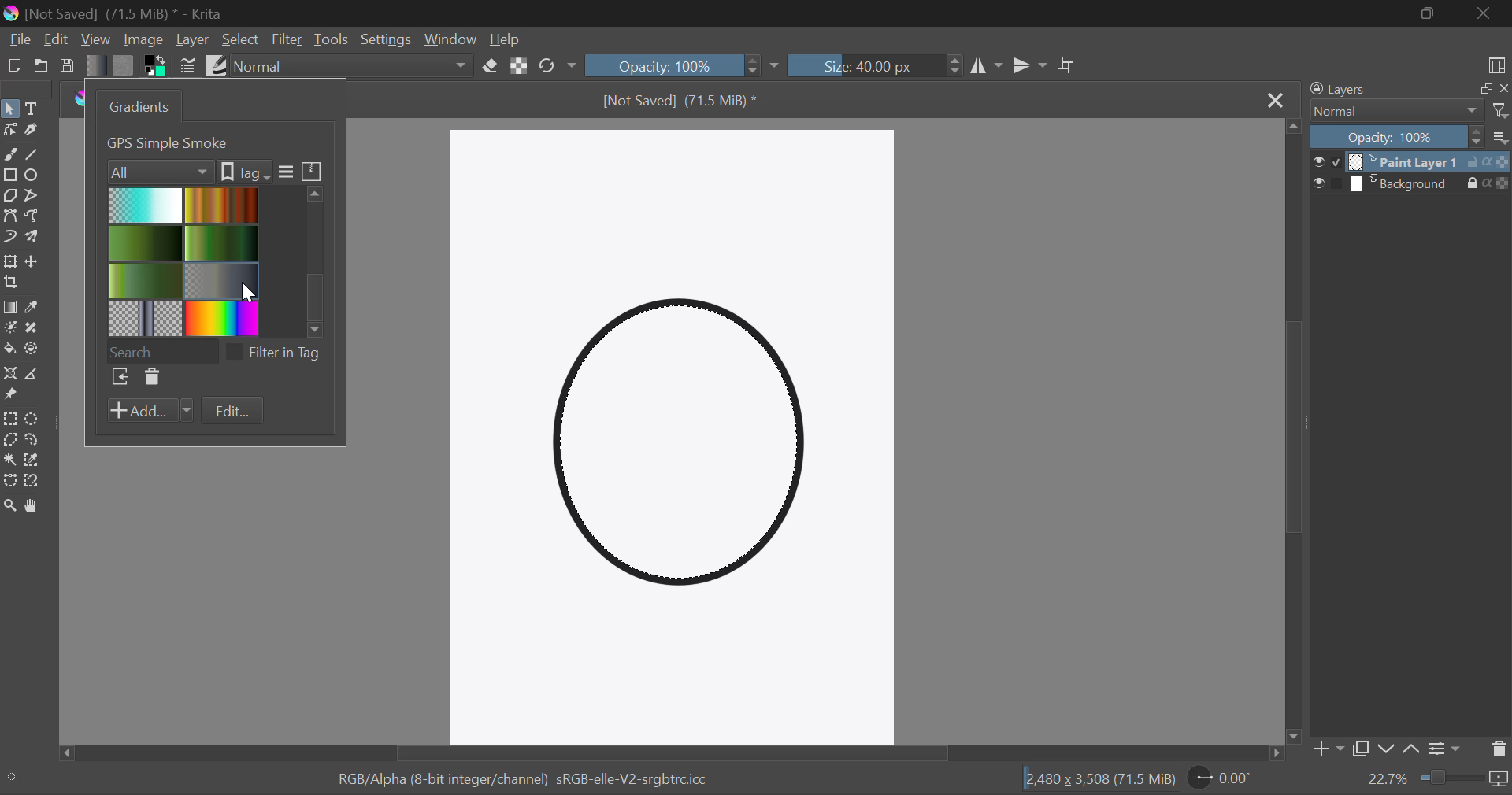 Image resolution: width=1512 pixels, height=795 pixels. Describe the element at coordinates (141, 106) in the screenshot. I see `Gradients` at that location.